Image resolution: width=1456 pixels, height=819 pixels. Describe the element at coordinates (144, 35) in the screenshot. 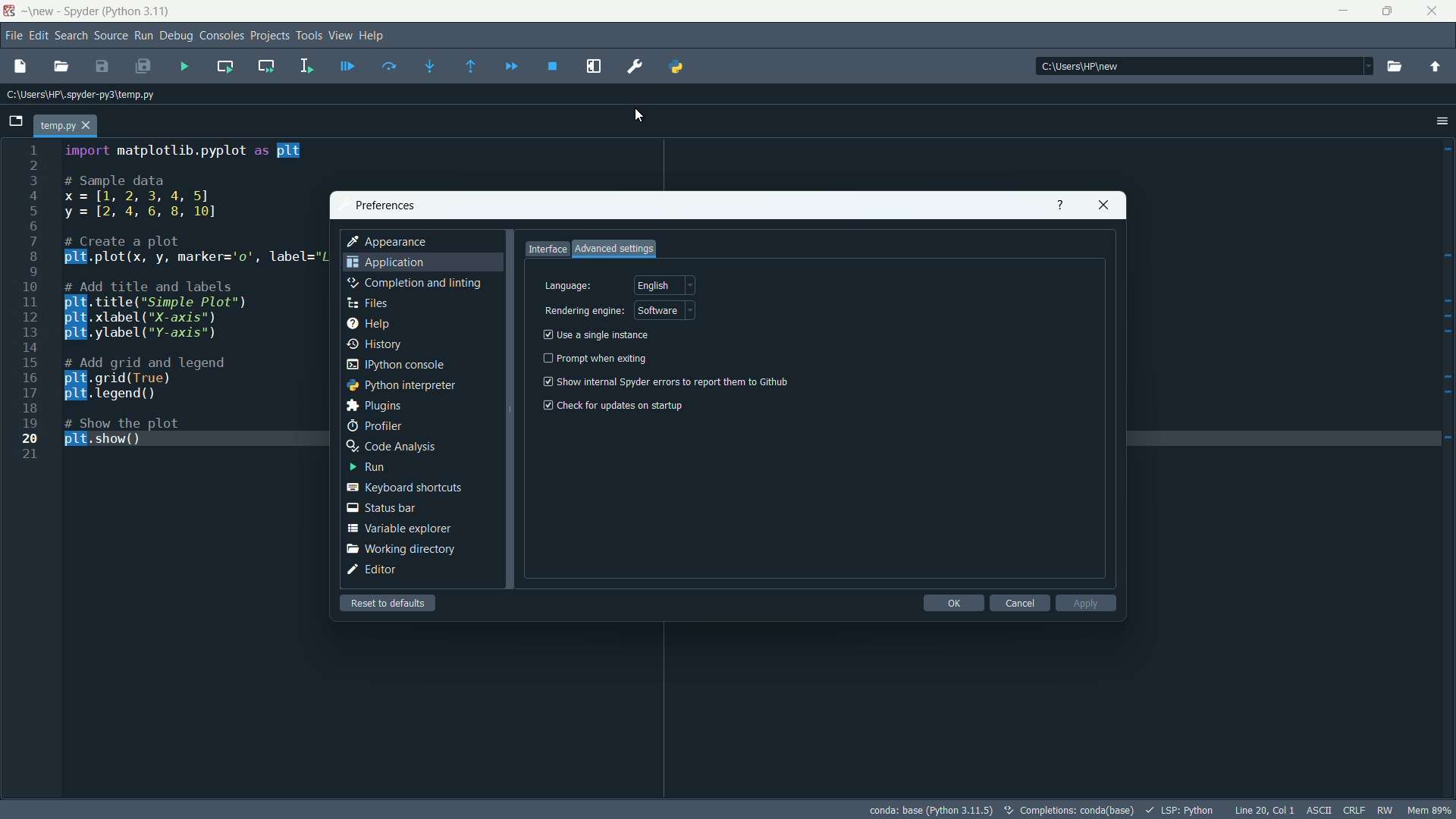

I see `run` at that location.